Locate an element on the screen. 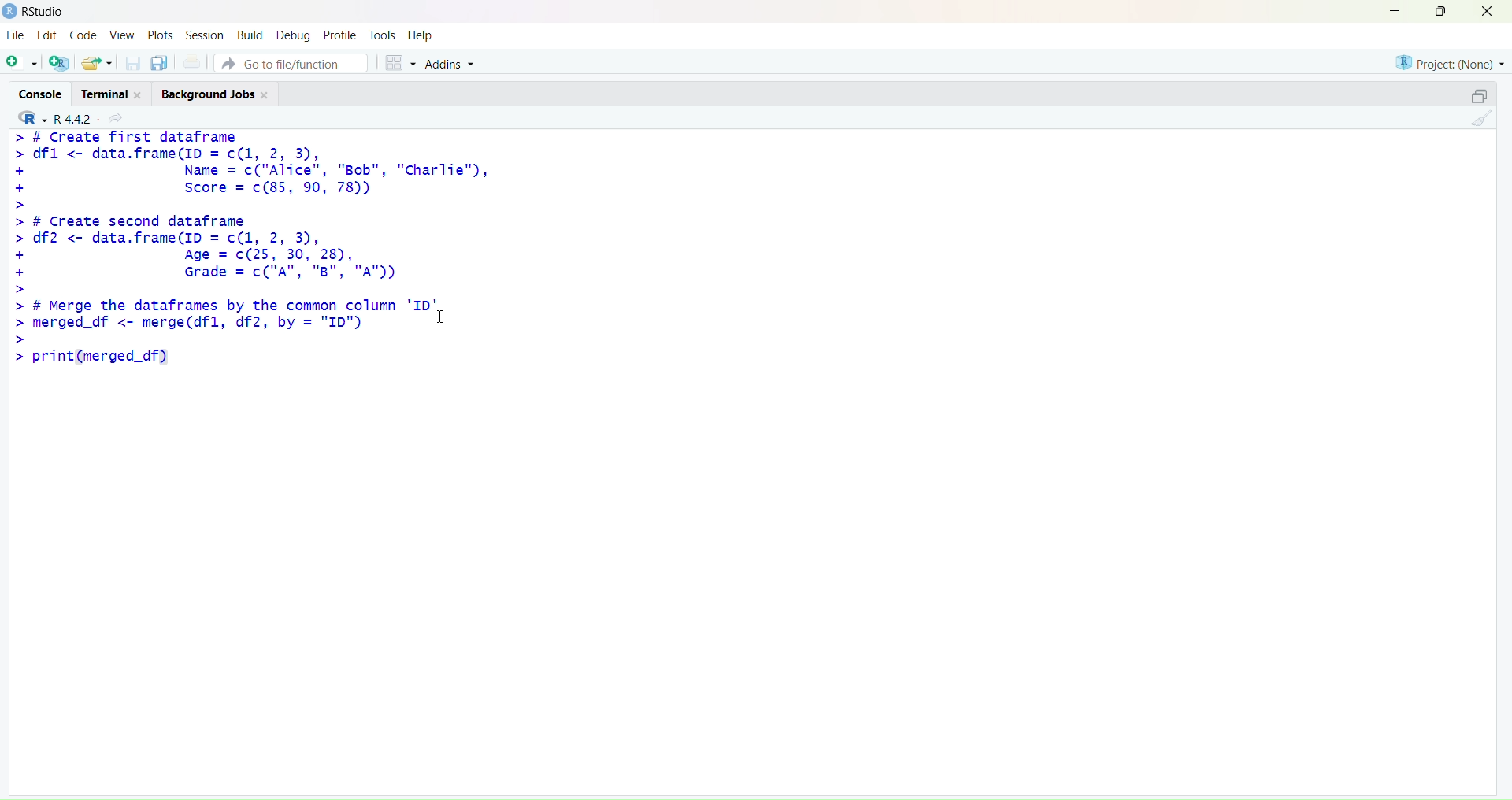 This screenshot has height=800, width=1512. Build is located at coordinates (251, 35).